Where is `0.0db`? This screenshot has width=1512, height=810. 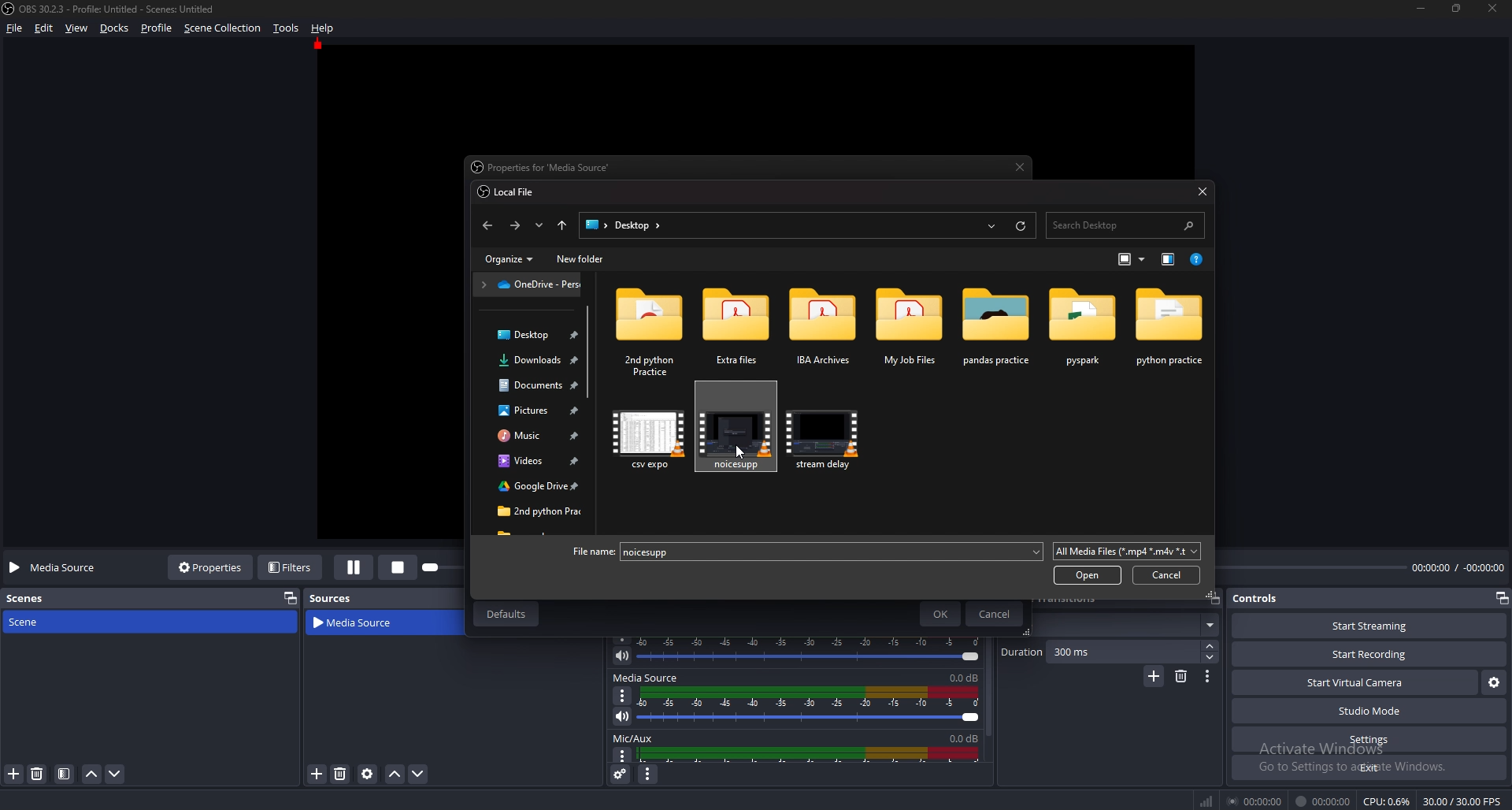
0.0db is located at coordinates (960, 736).